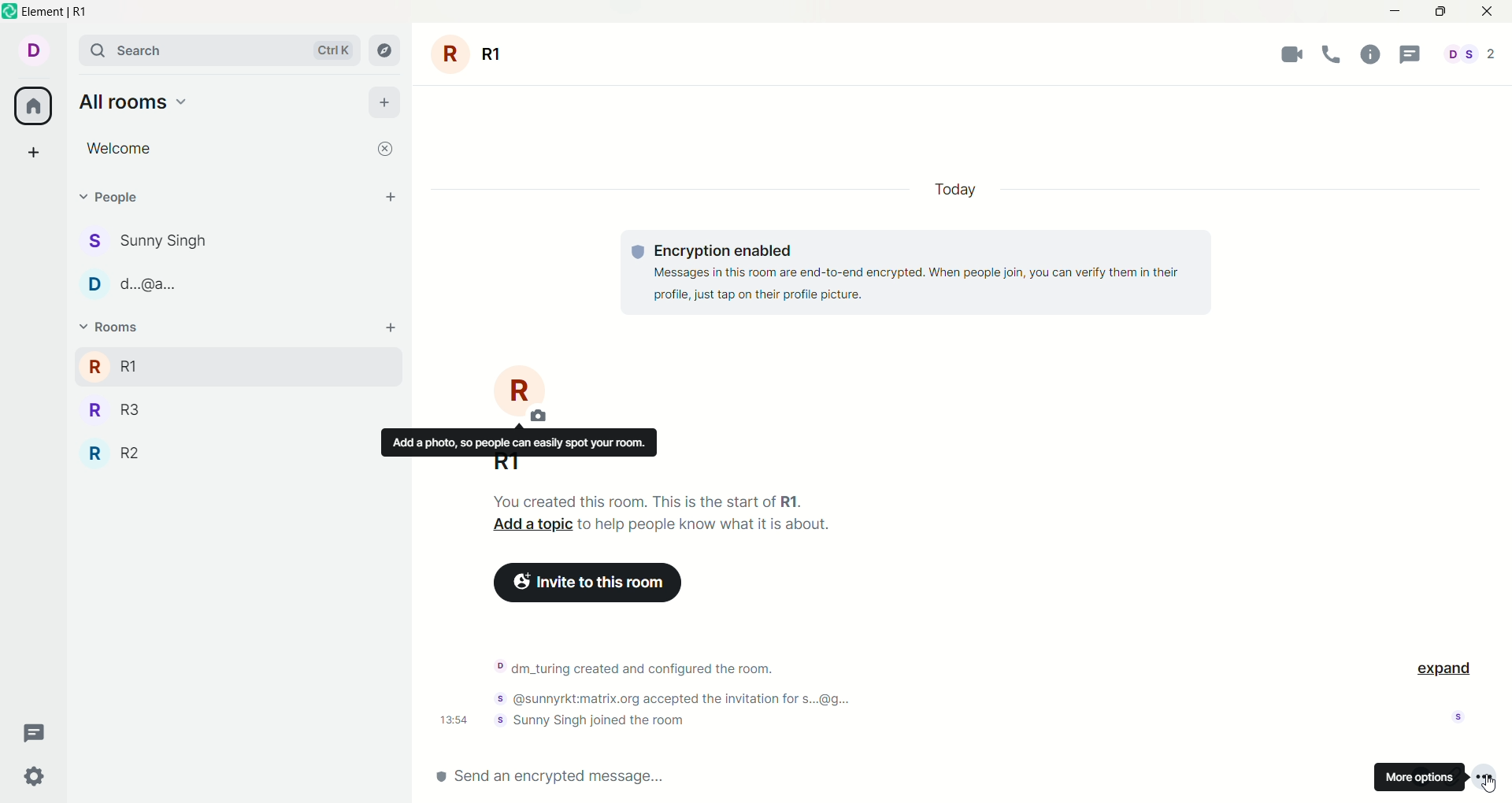  What do you see at coordinates (1395, 12) in the screenshot?
I see `minimize` at bounding box center [1395, 12].